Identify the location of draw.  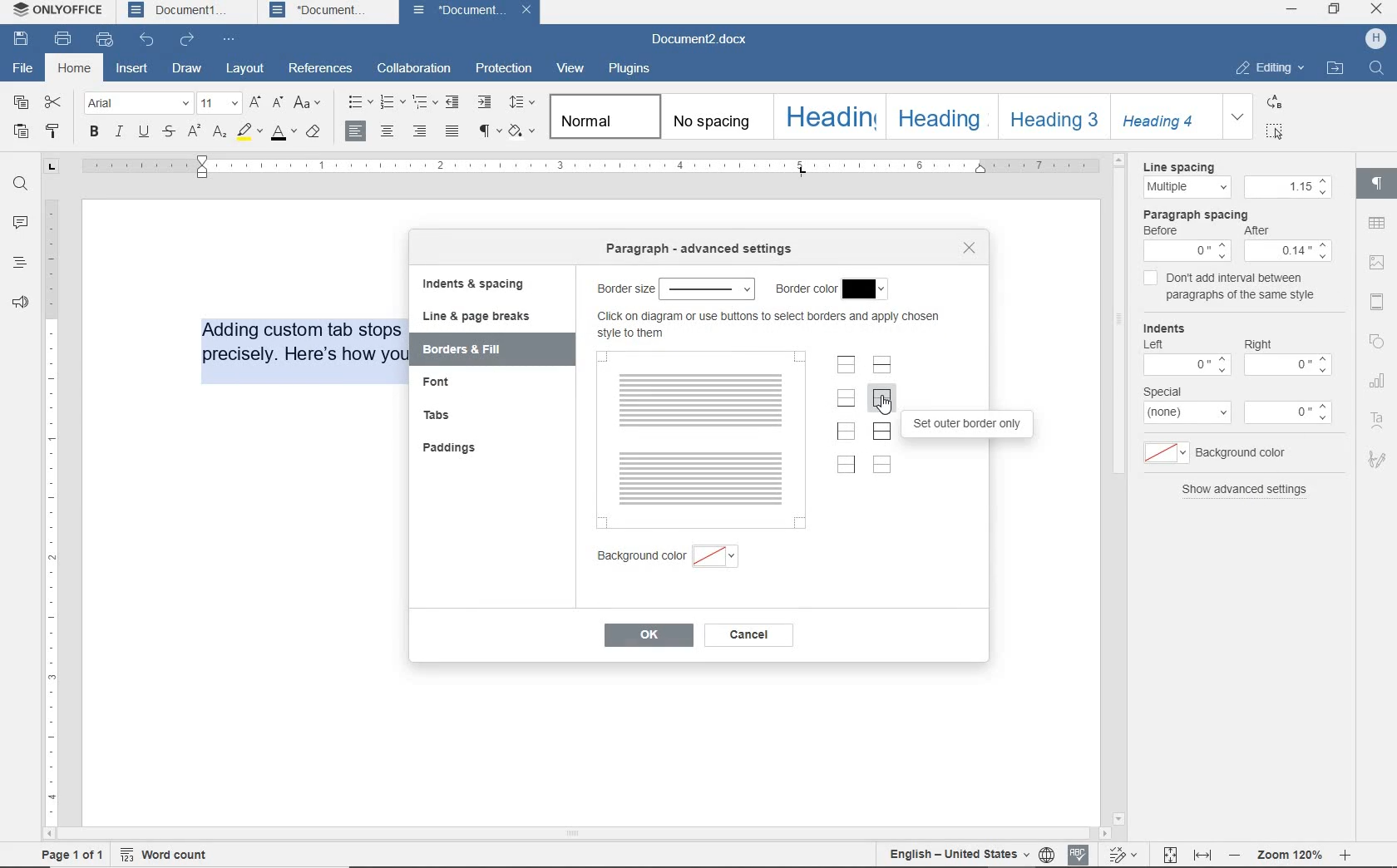
(187, 69).